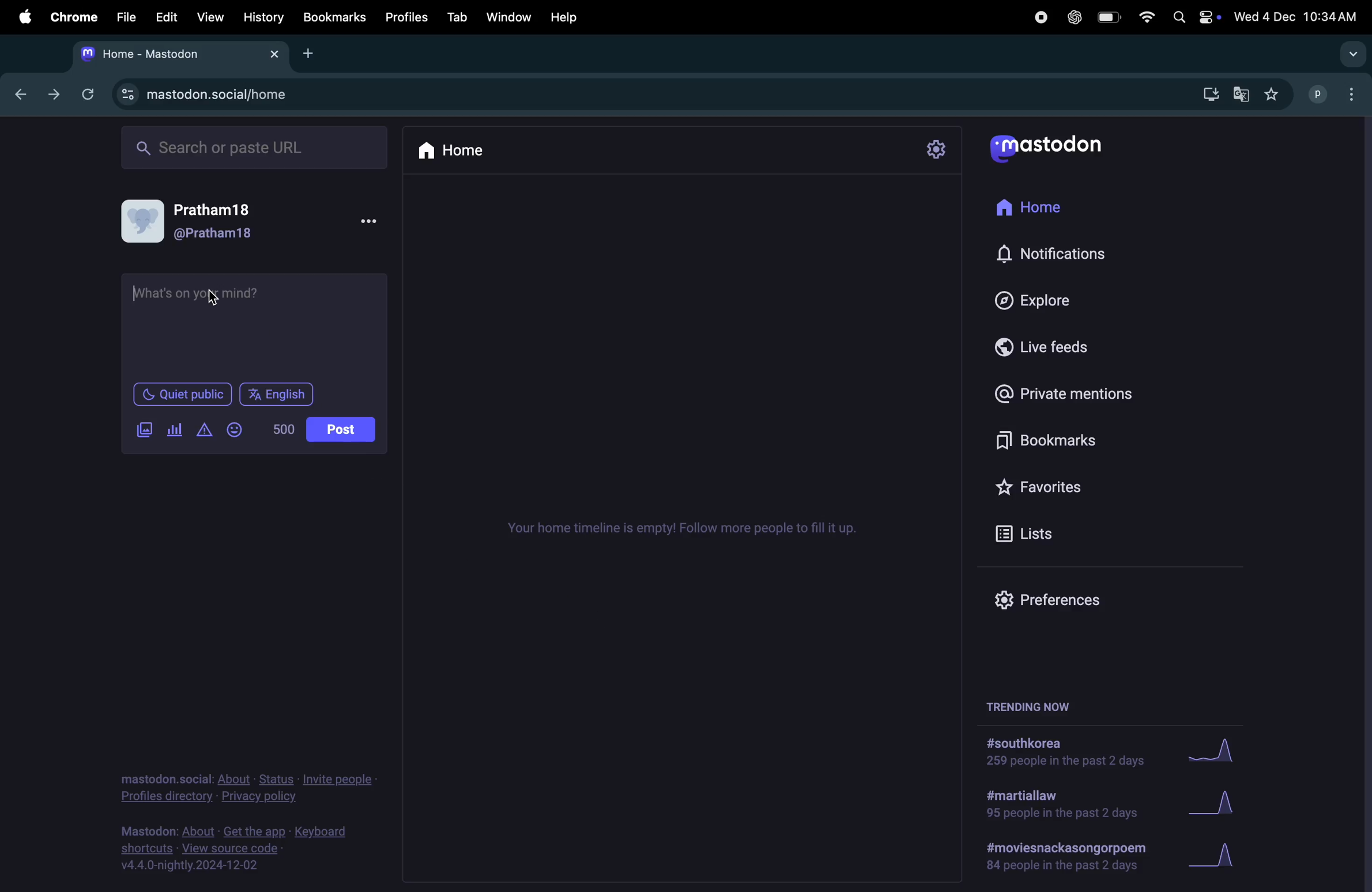  What do you see at coordinates (52, 95) in the screenshot?
I see `go next` at bounding box center [52, 95].